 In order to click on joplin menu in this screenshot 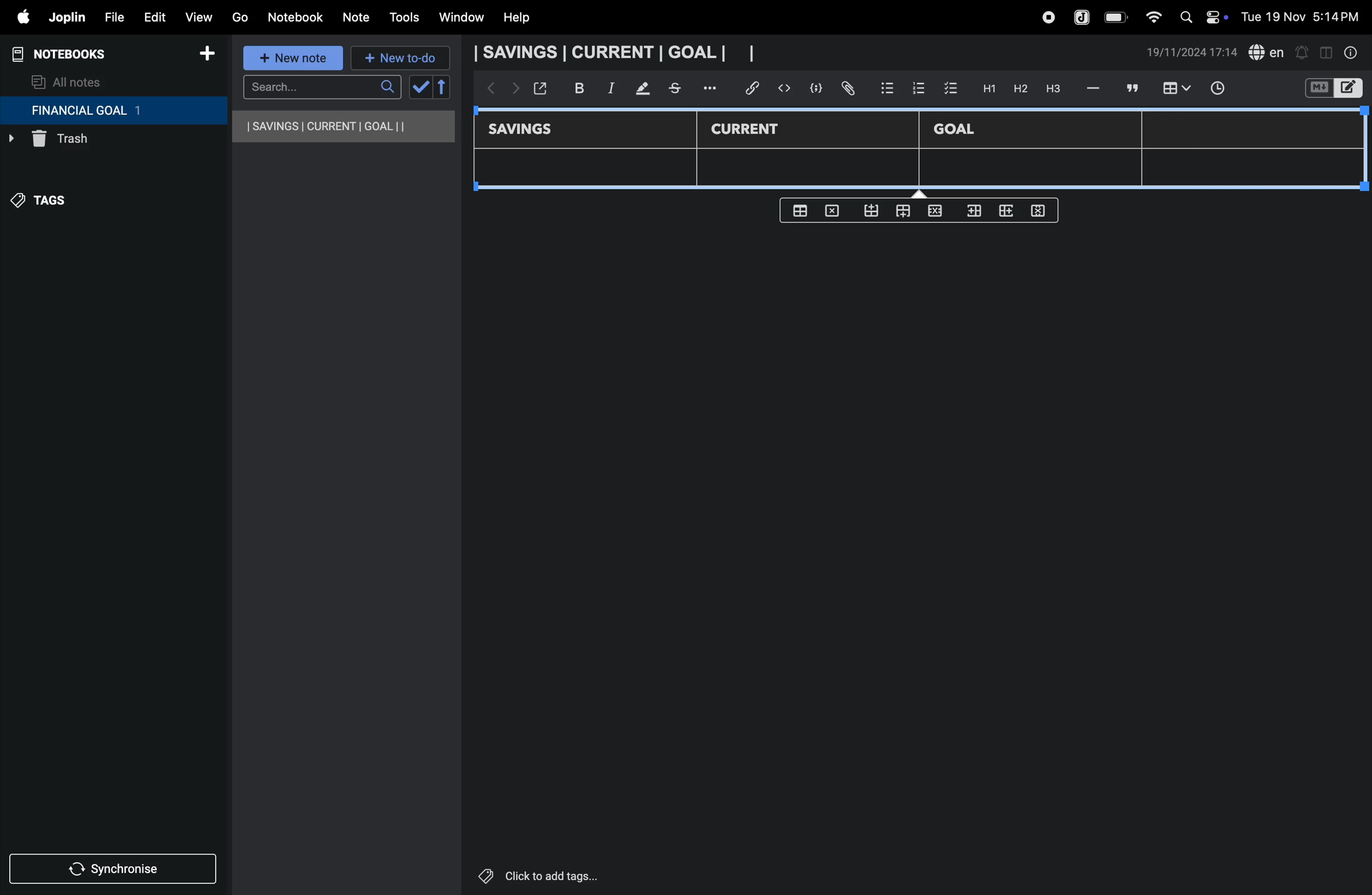, I will do `click(65, 17)`.